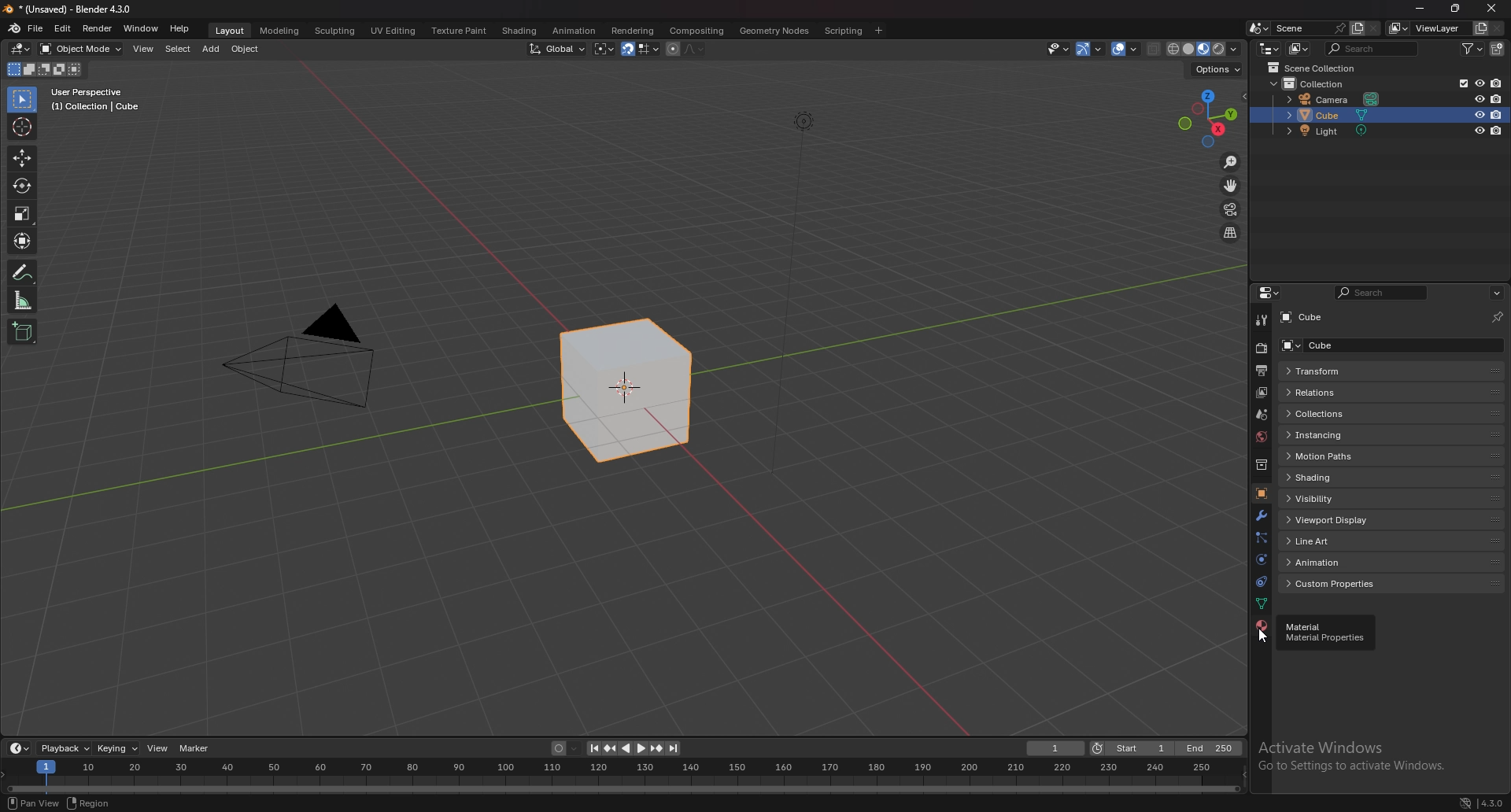  Describe the element at coordinates (1389, 477) in the screenshot. I see `shading` at that location.